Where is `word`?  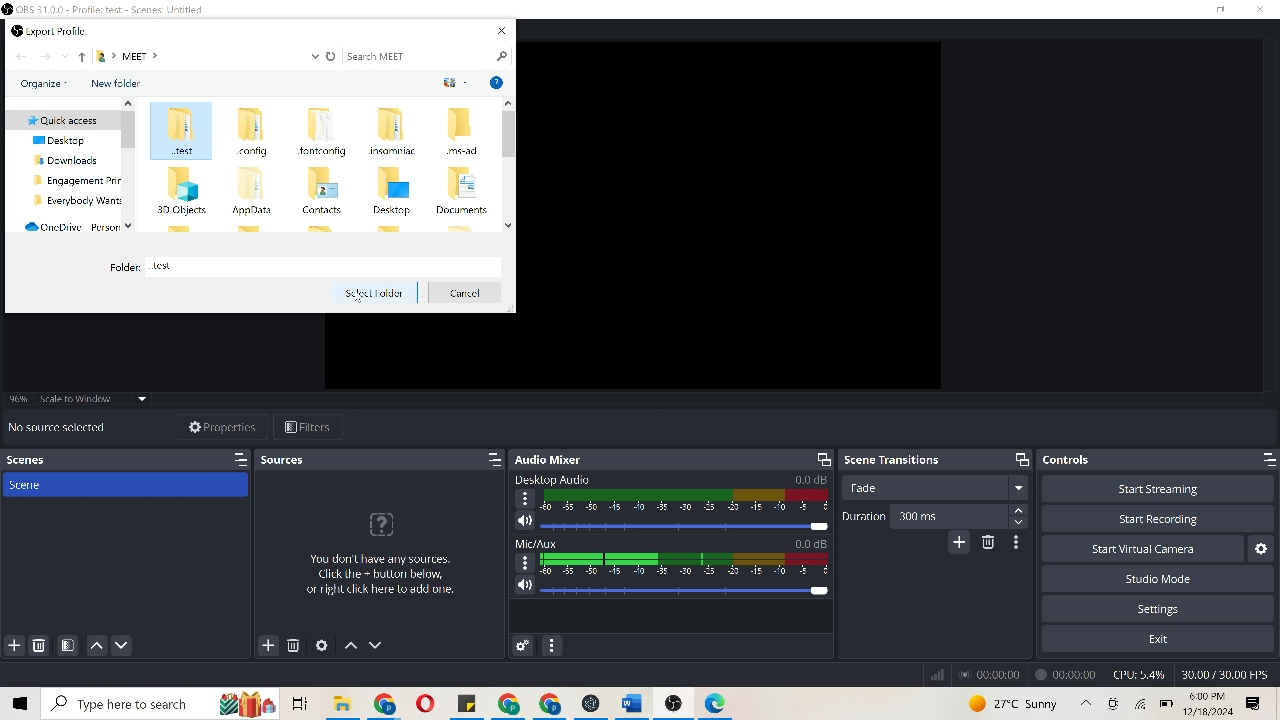
word is located at coordinates (641, 701).